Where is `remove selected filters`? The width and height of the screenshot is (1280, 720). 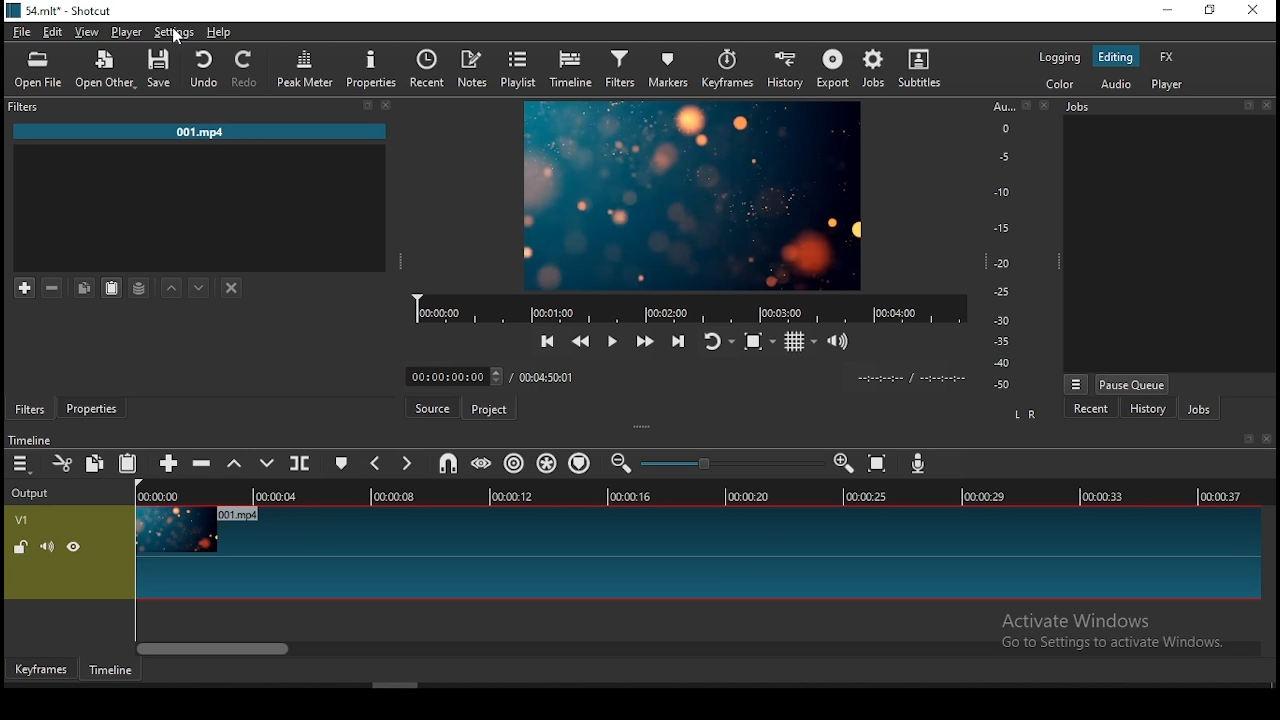
remove selected filters is located at coordinates (53, 288).